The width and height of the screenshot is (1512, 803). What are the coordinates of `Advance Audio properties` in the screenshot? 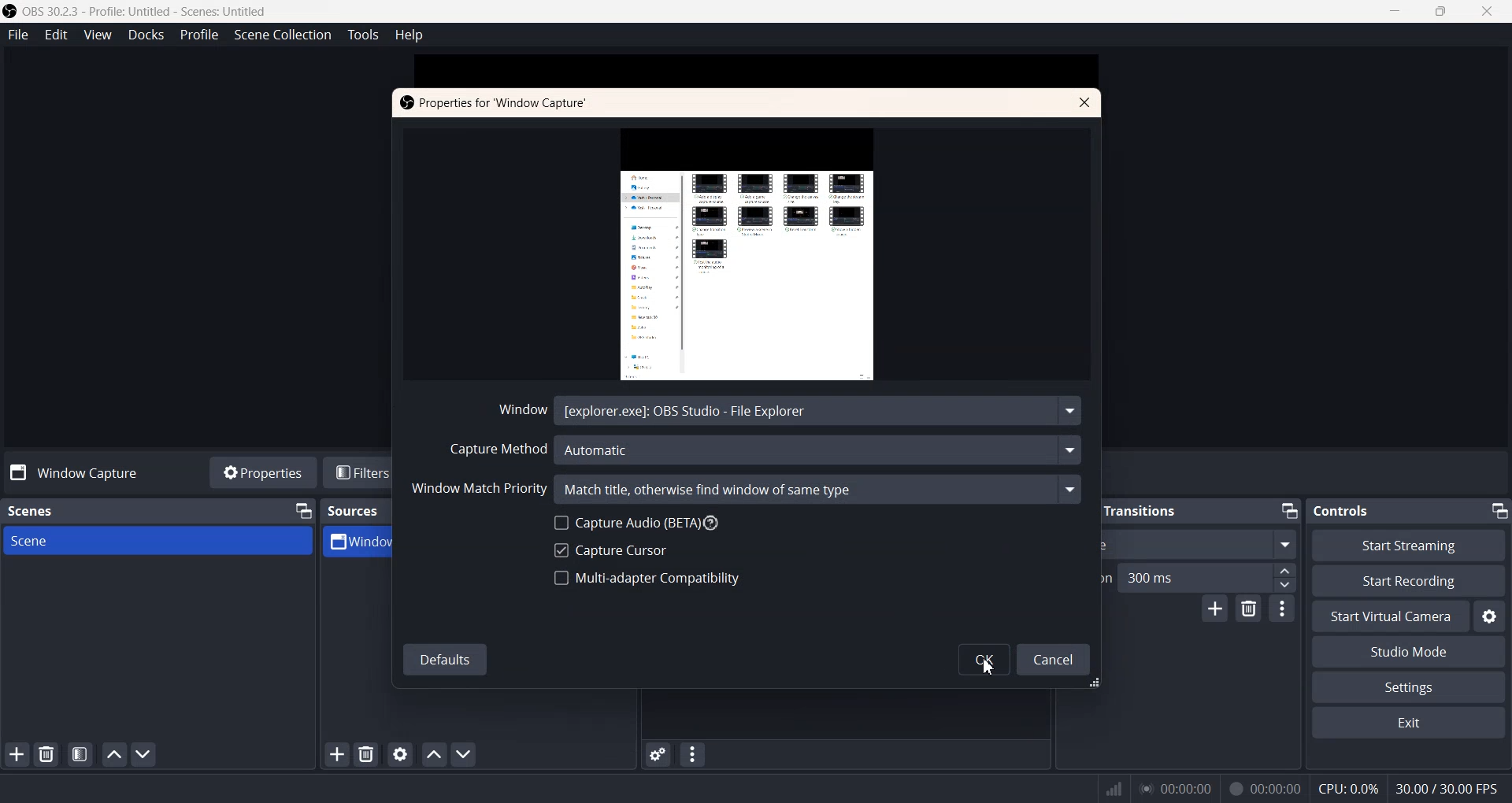 It's located at (658, 754).